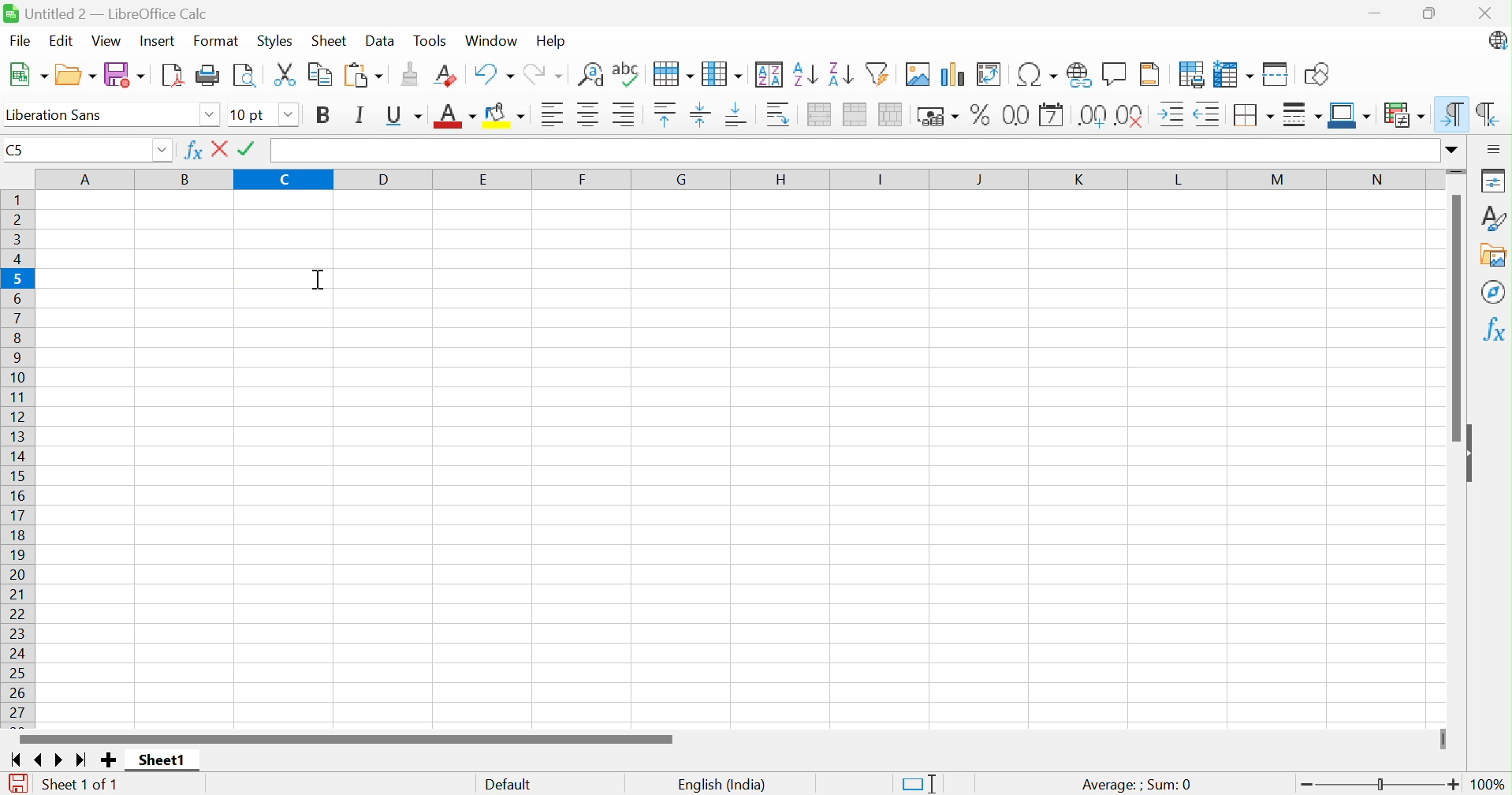  Describe the element at coordinates (326, 117) in the screenshot. I see `Bold` at that location.